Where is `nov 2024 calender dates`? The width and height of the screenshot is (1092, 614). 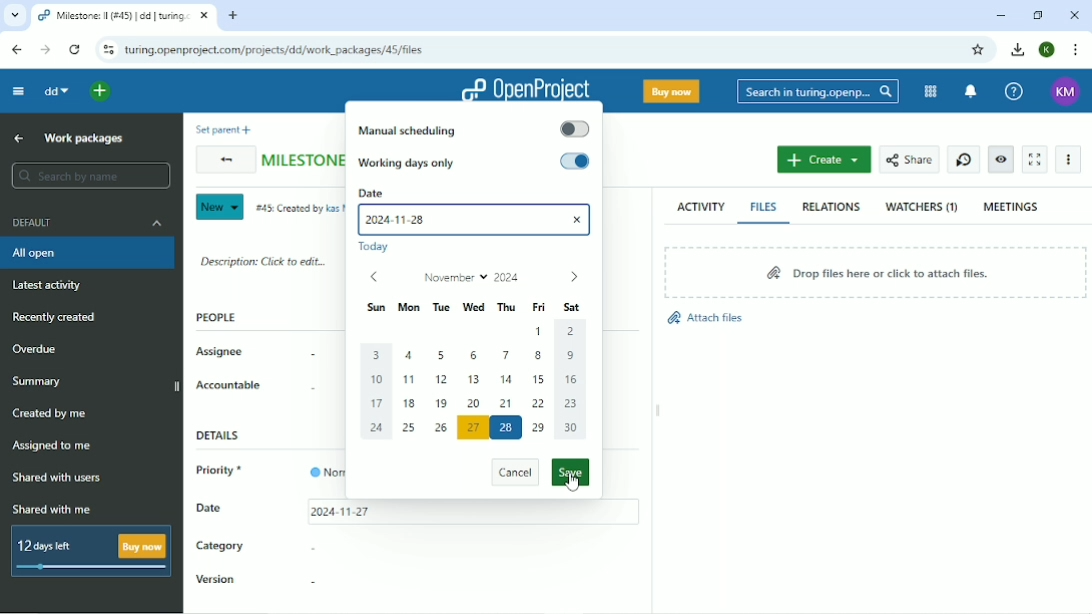 nov 2024 calender dates is located at coordinates (477, 368).